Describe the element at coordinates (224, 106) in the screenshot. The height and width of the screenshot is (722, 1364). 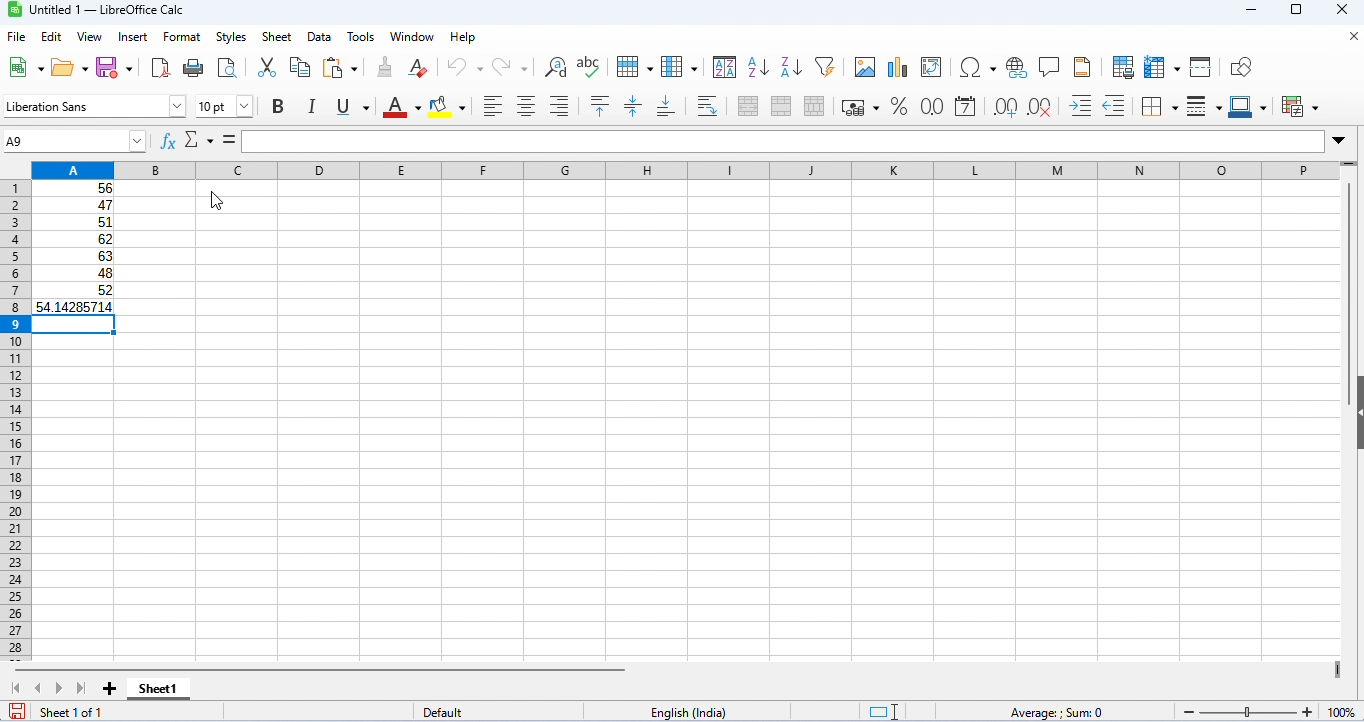
I see `font size` at that location.